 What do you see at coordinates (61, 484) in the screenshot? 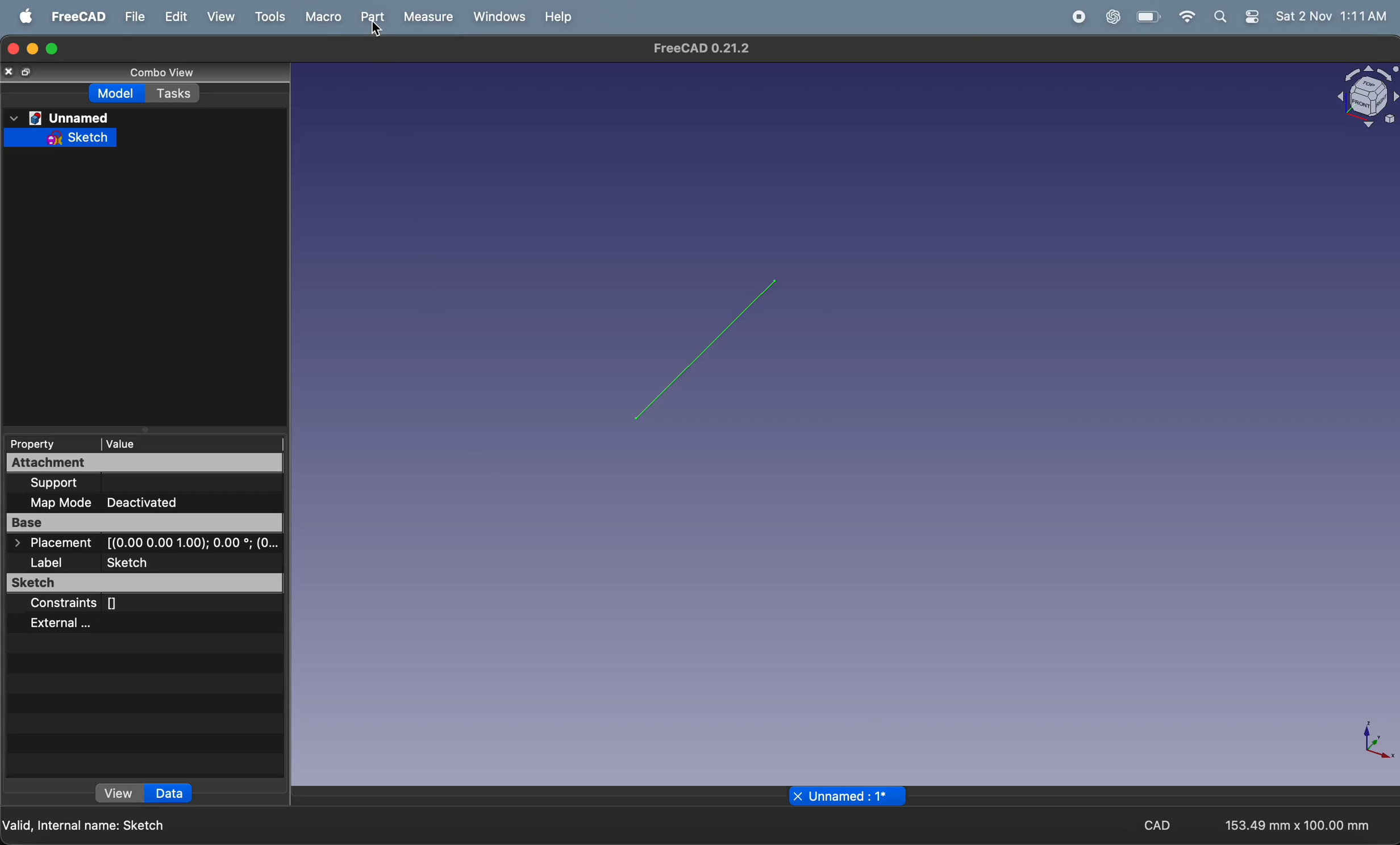
I see `support` at bounding box center [61, 484].